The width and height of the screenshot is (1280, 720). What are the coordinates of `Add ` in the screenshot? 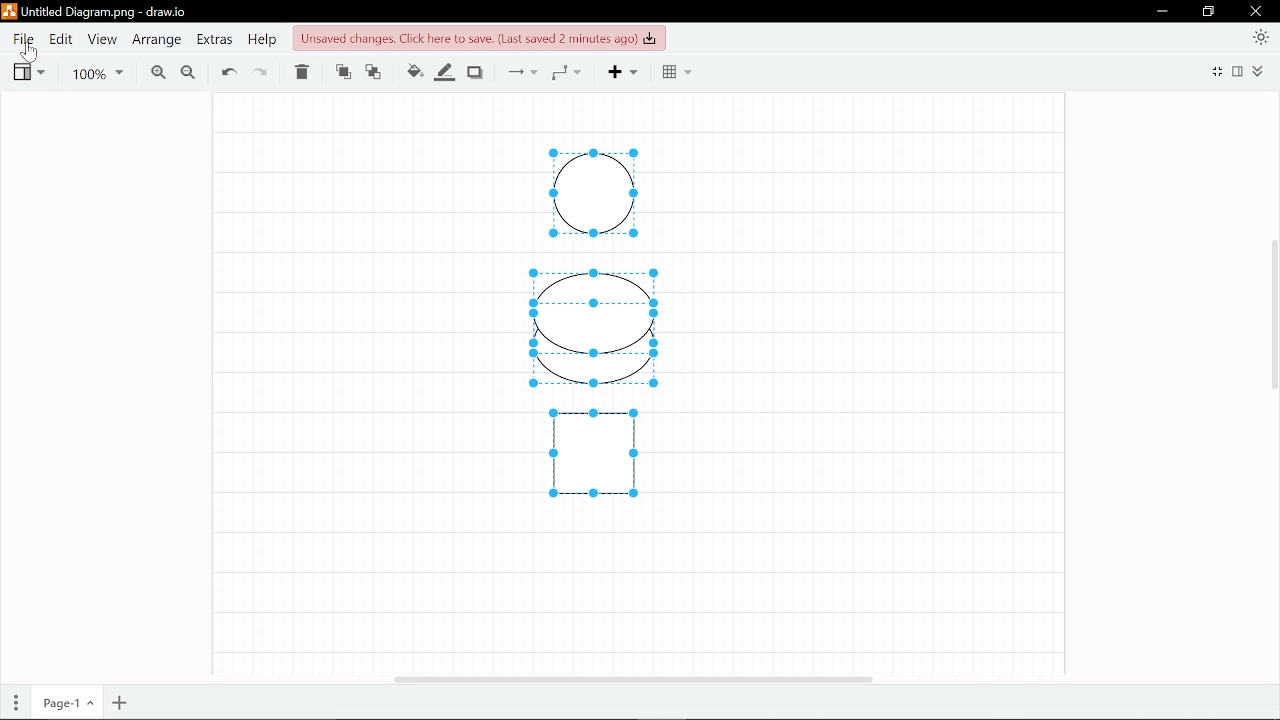 It's located at (618, 72).